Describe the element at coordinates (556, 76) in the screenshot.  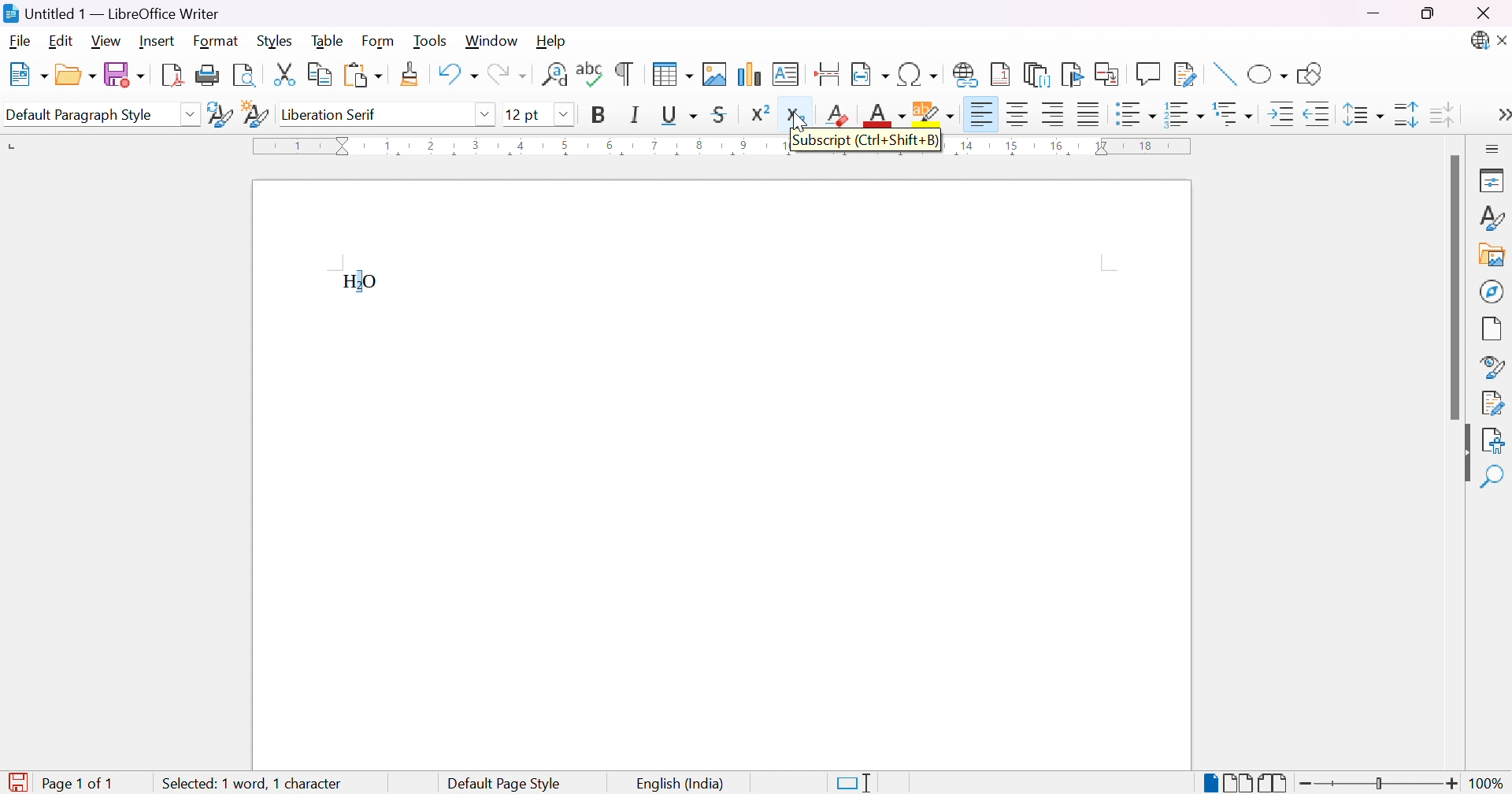
I see `` at that location.